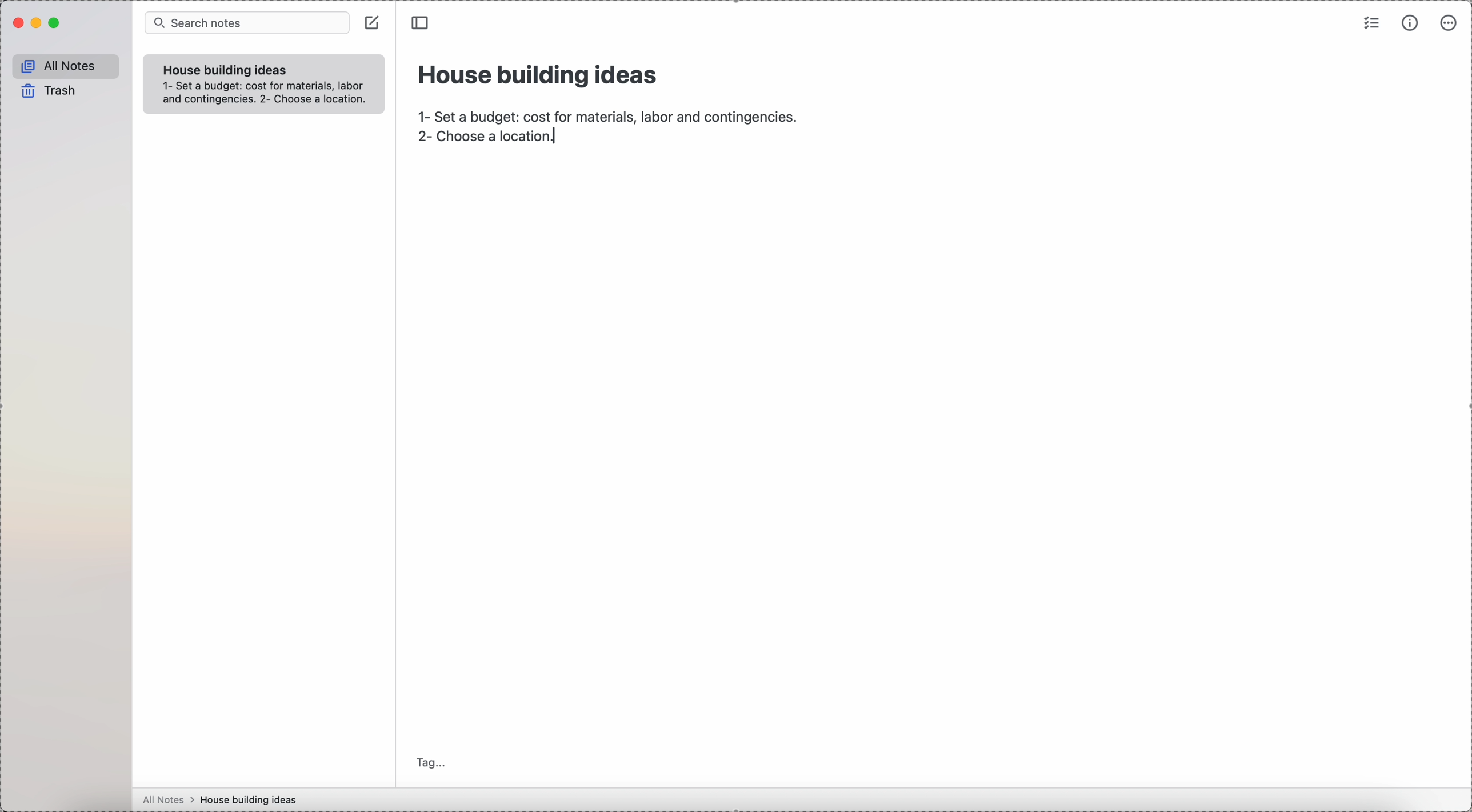  I want to click on house building ideas, so click(226, 70).